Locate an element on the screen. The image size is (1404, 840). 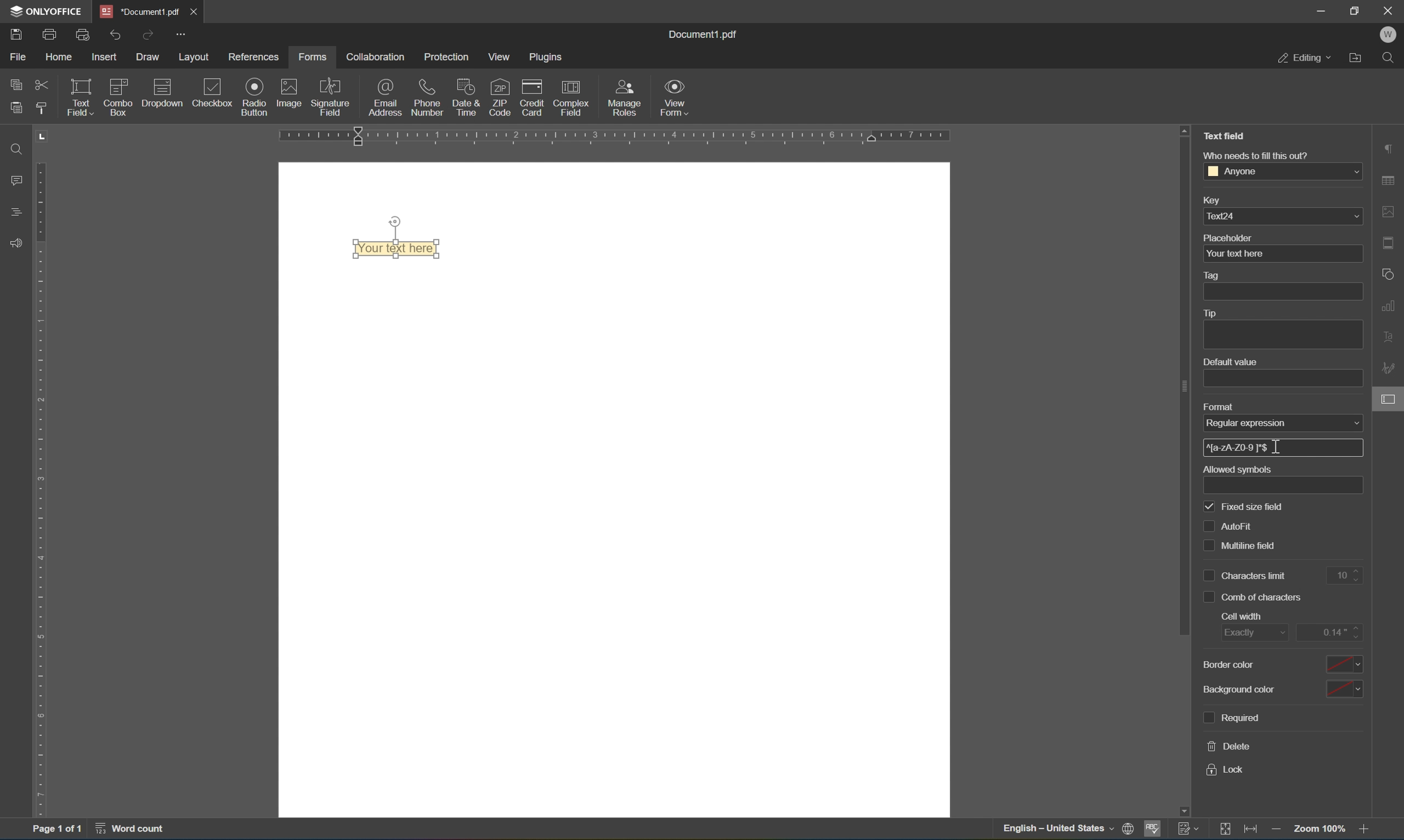
zoom in is located at coordinates (1368, 830).